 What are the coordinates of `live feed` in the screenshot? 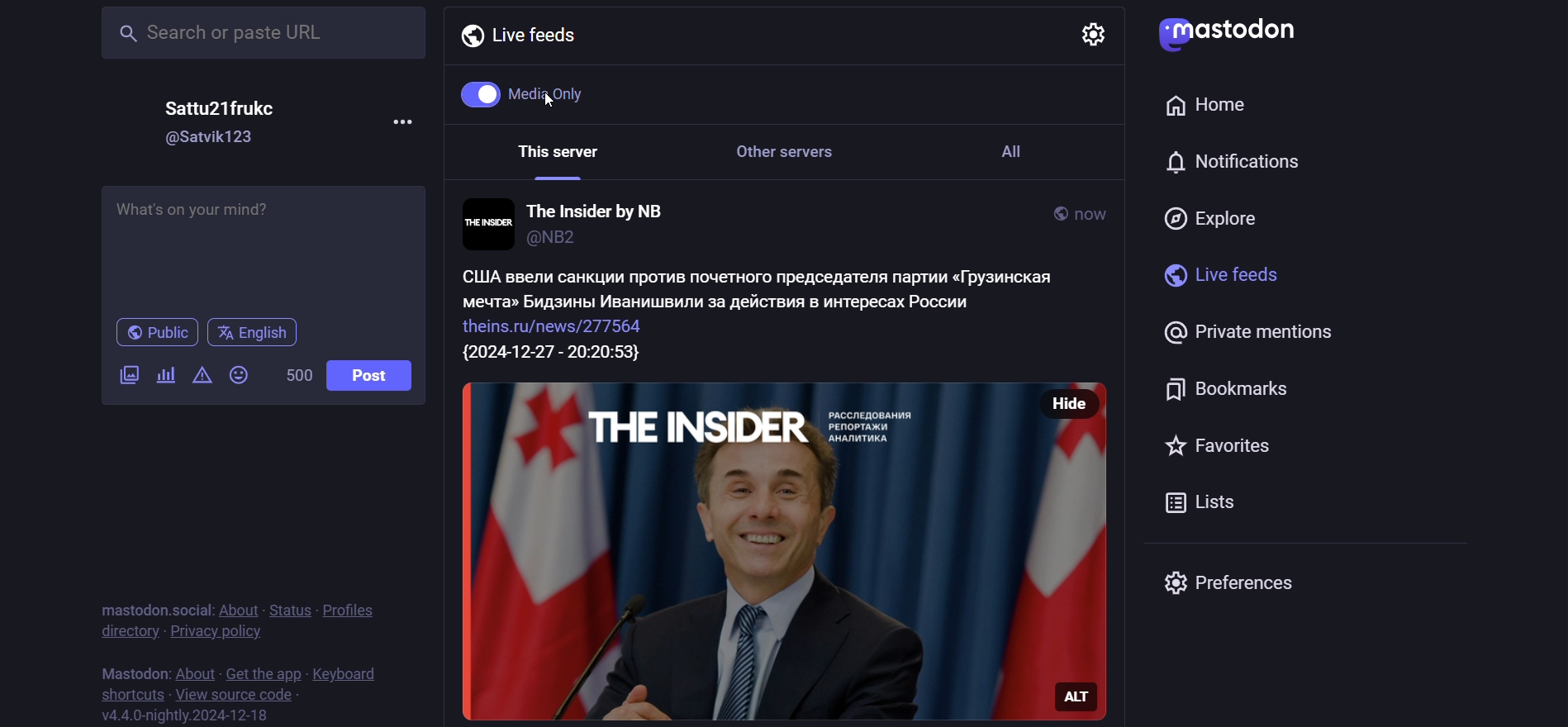 It's located at (518, 34).